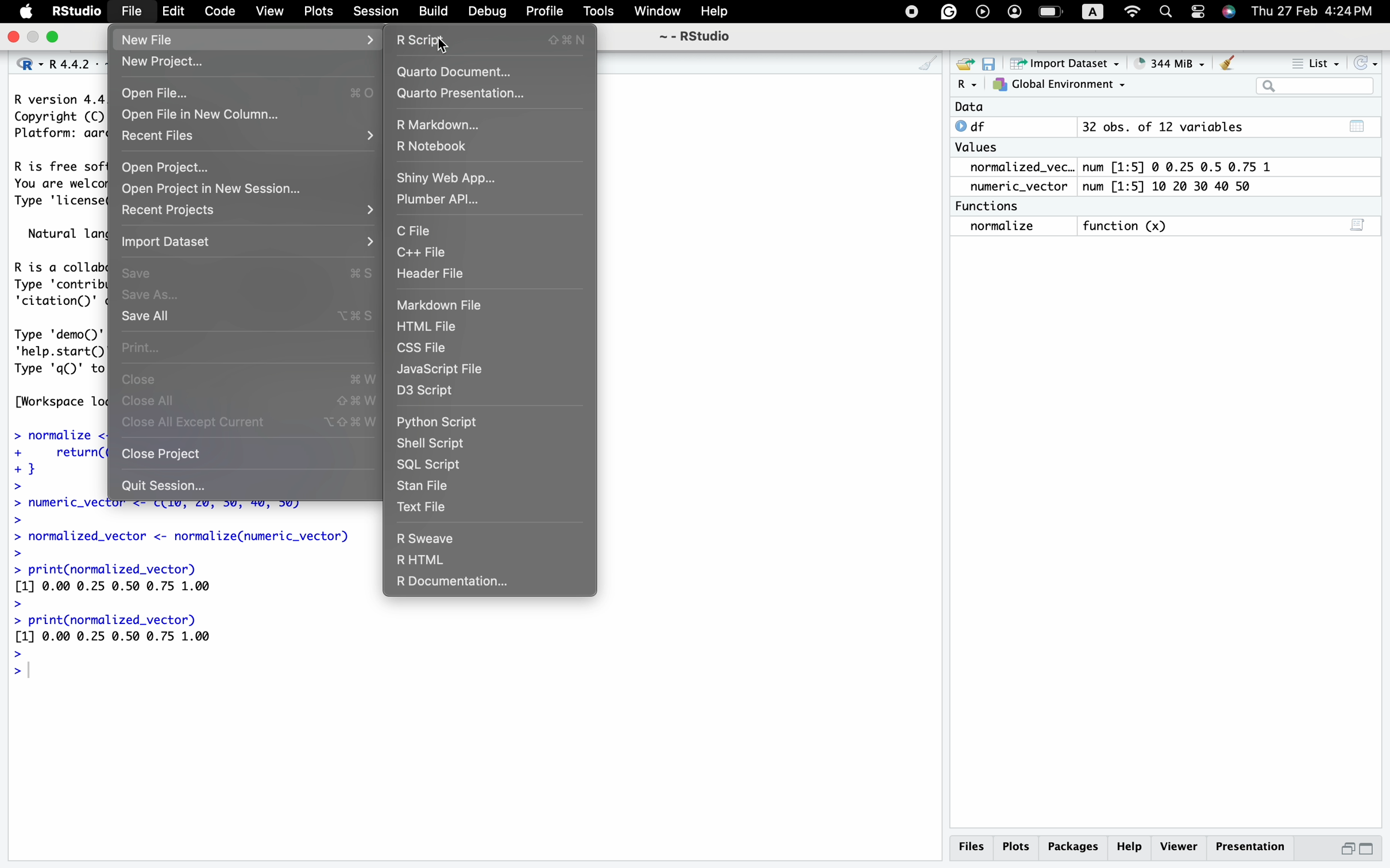  I want to click on List, so click(1315, 63).